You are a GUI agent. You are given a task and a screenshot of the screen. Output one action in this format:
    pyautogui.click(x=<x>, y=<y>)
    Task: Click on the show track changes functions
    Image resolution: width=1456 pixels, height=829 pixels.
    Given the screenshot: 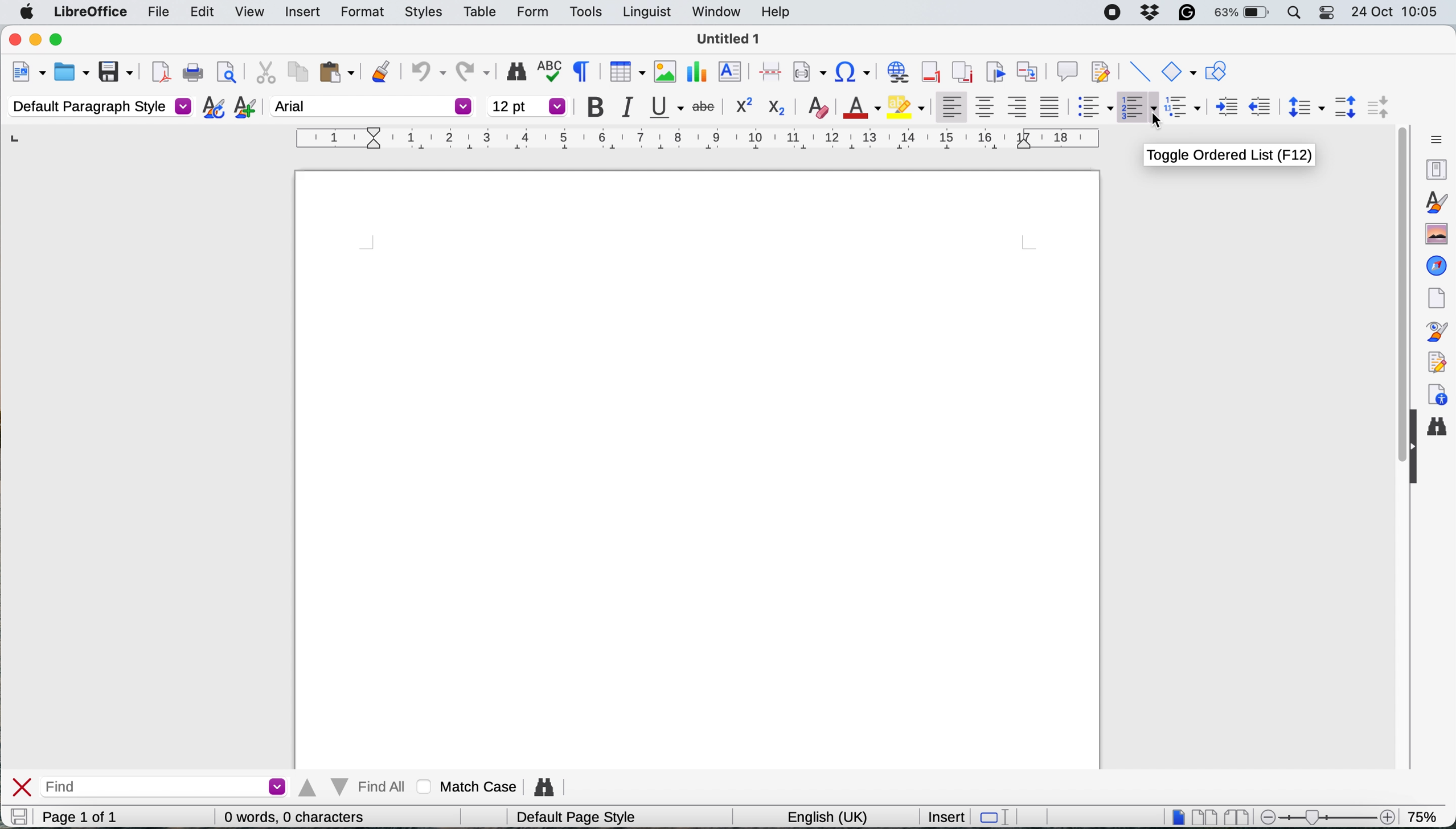 What is the action you would take?
    pyautogui.click(x=1102, y=70)
    